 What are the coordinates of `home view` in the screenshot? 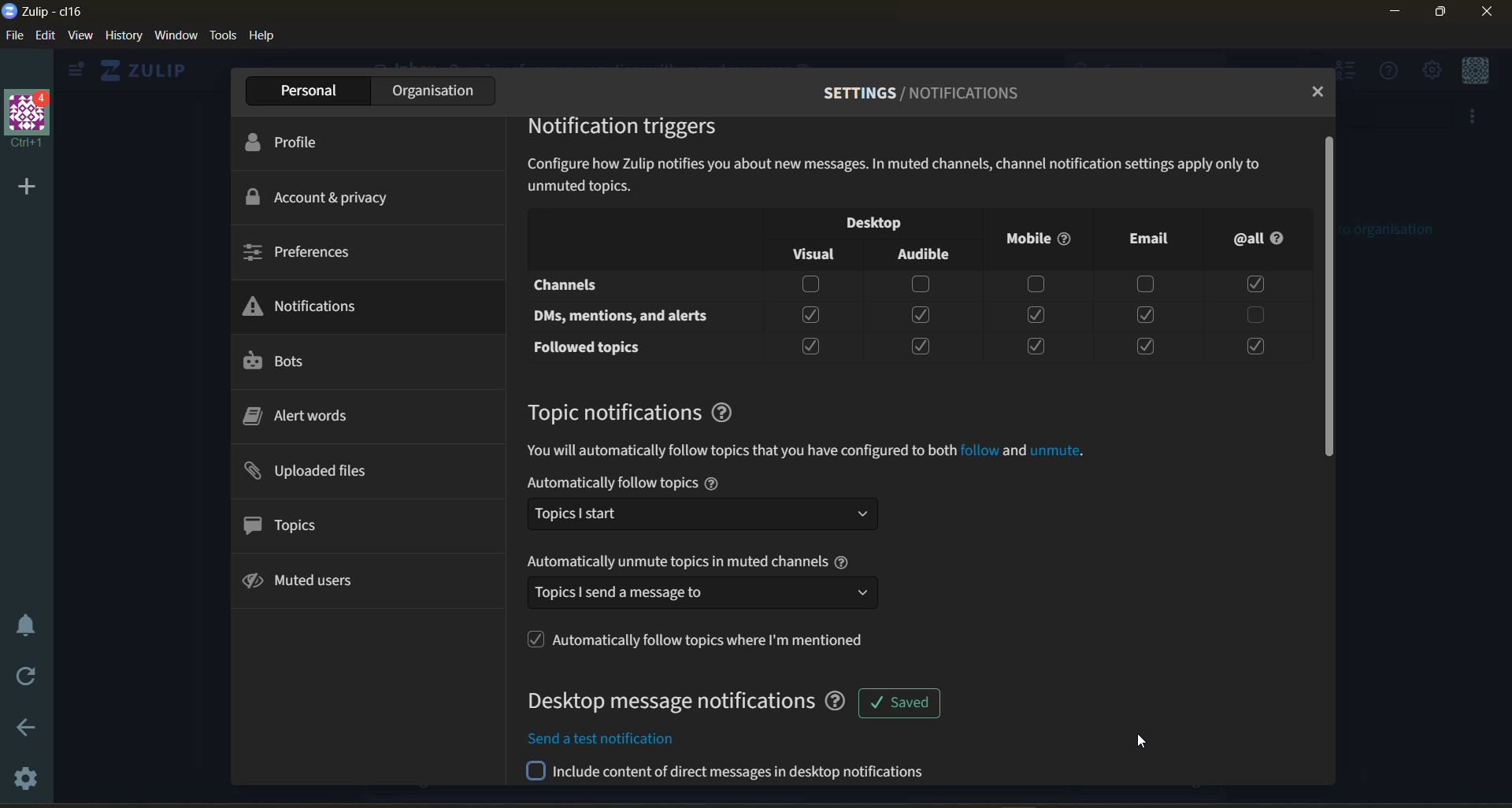 It's located at (147, 70).